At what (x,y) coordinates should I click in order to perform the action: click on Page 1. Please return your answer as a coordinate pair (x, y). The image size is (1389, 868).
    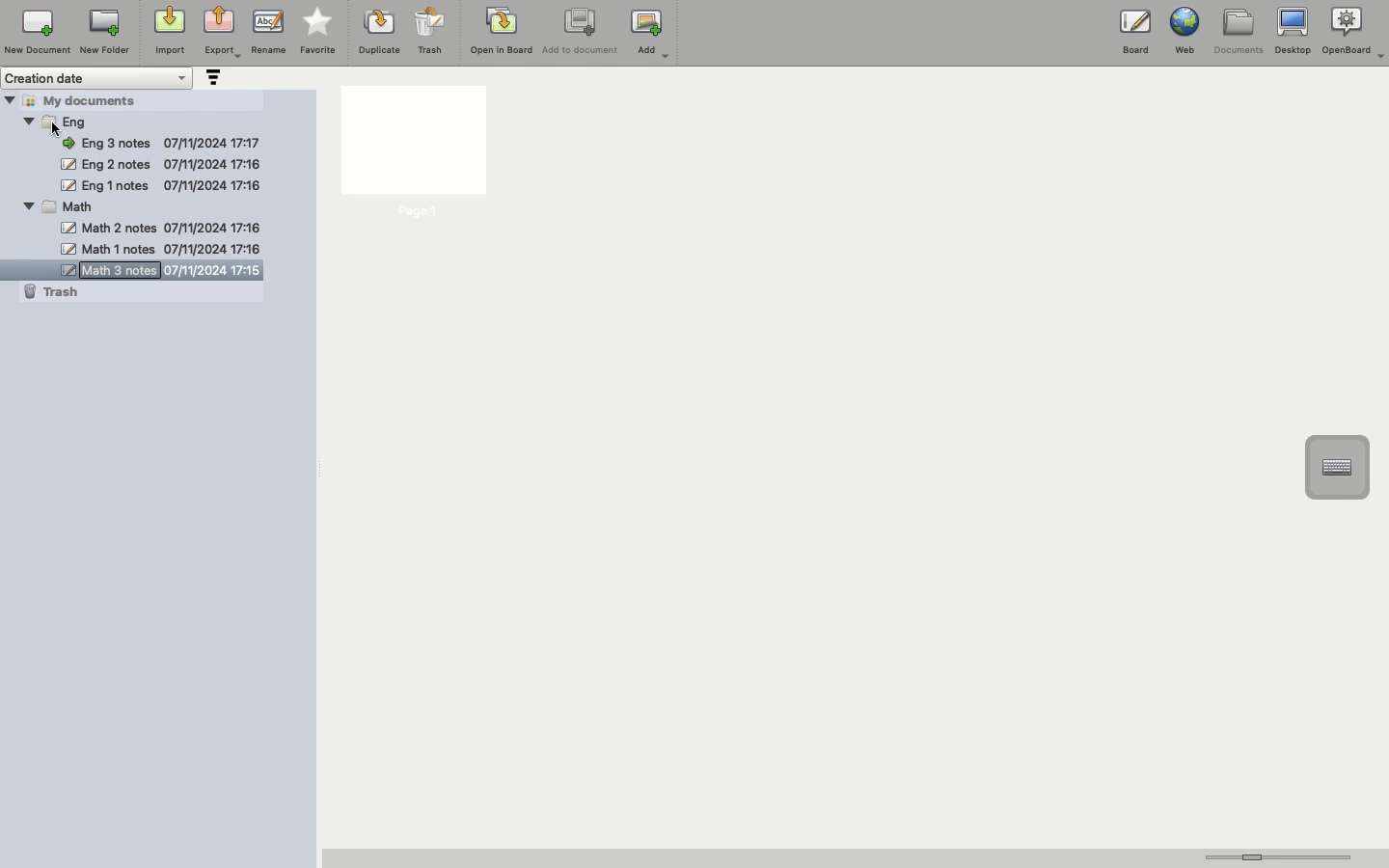
    Looking at the image, I should click on (412, 153).